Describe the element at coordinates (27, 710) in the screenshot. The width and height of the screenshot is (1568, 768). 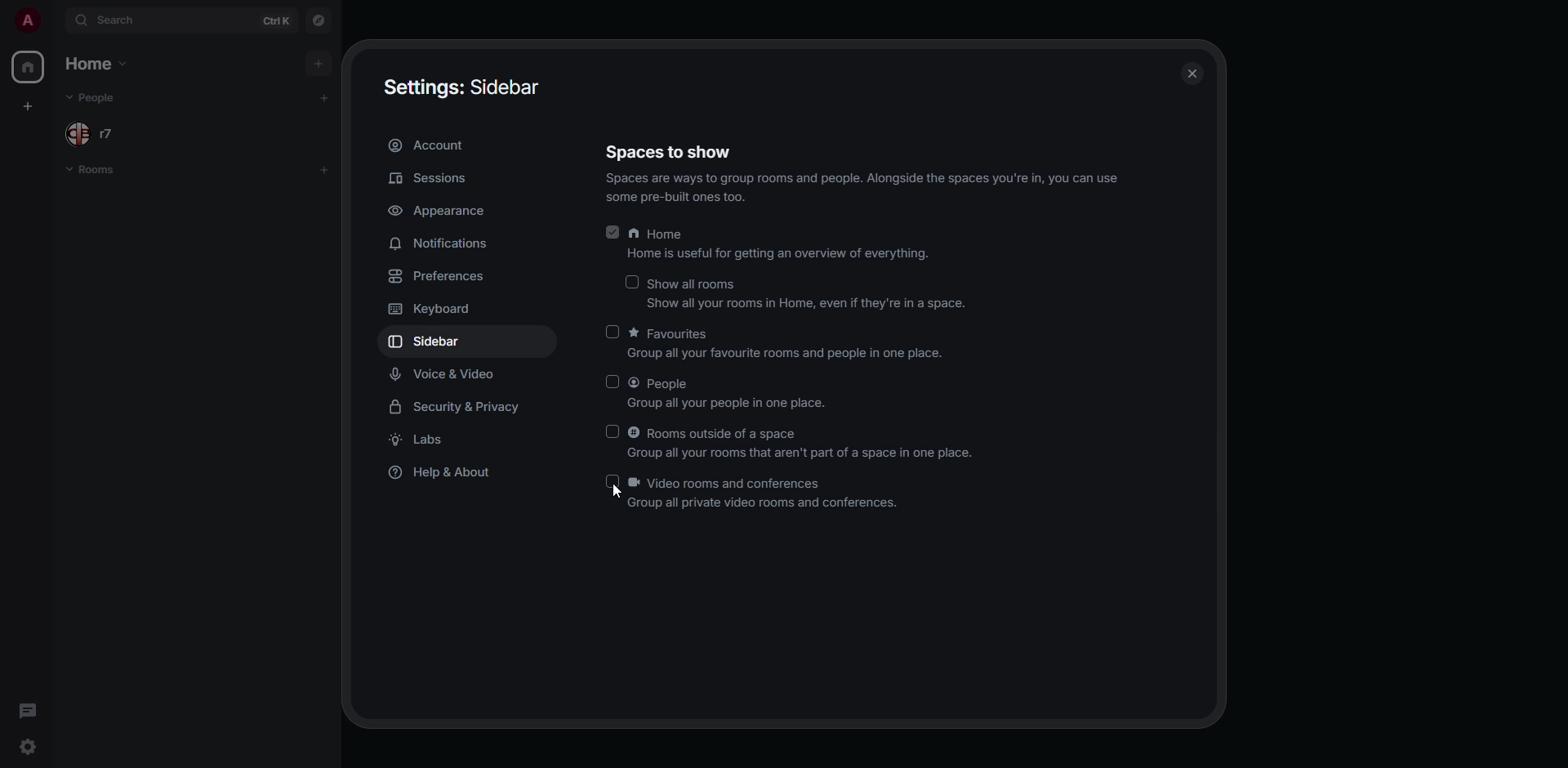
I see `threads` at that location.